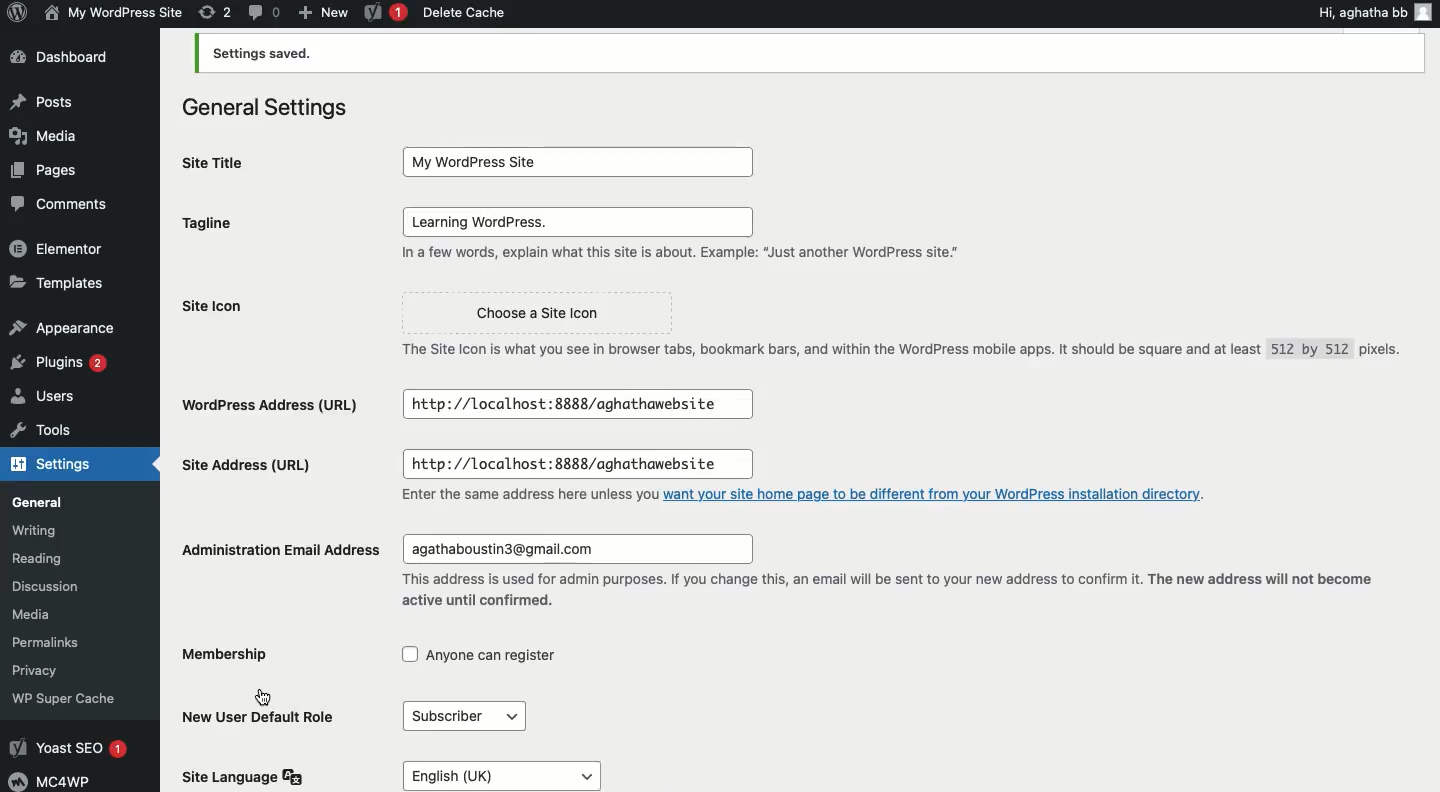  I want to click on Comment, so click(54, 206).